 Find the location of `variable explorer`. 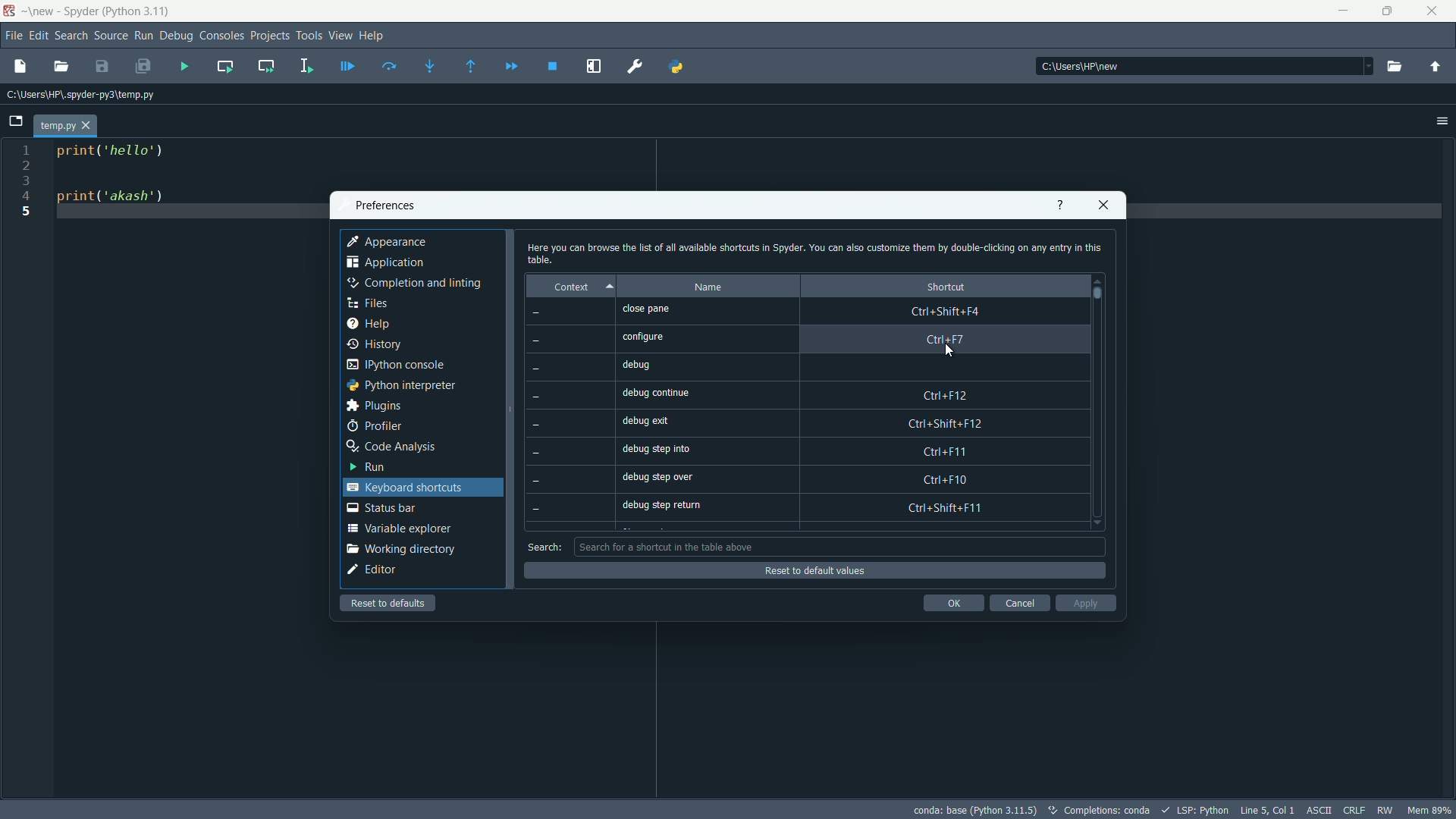

variable explorer is located at coordinates (398, 528).